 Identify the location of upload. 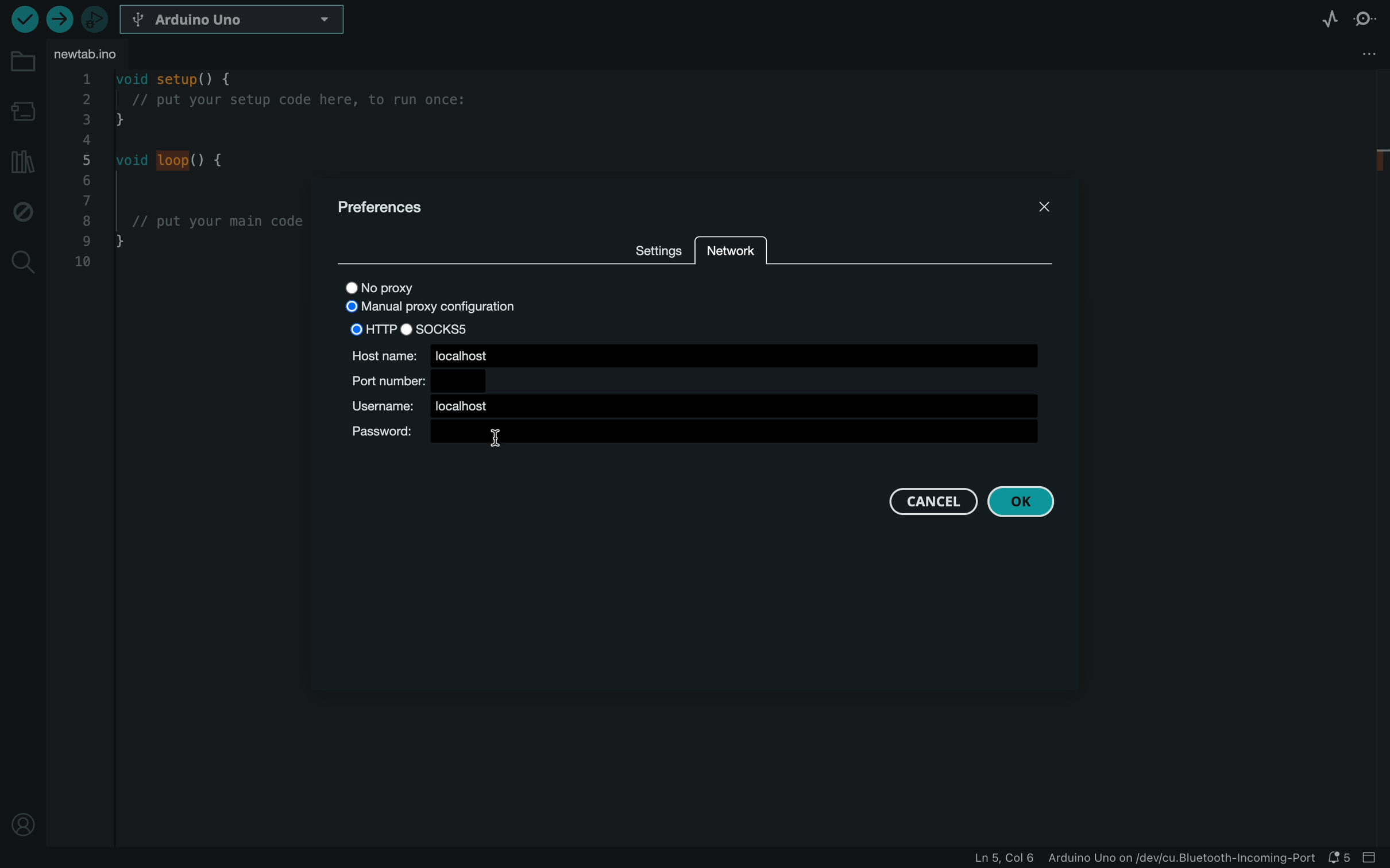
(59, 21).